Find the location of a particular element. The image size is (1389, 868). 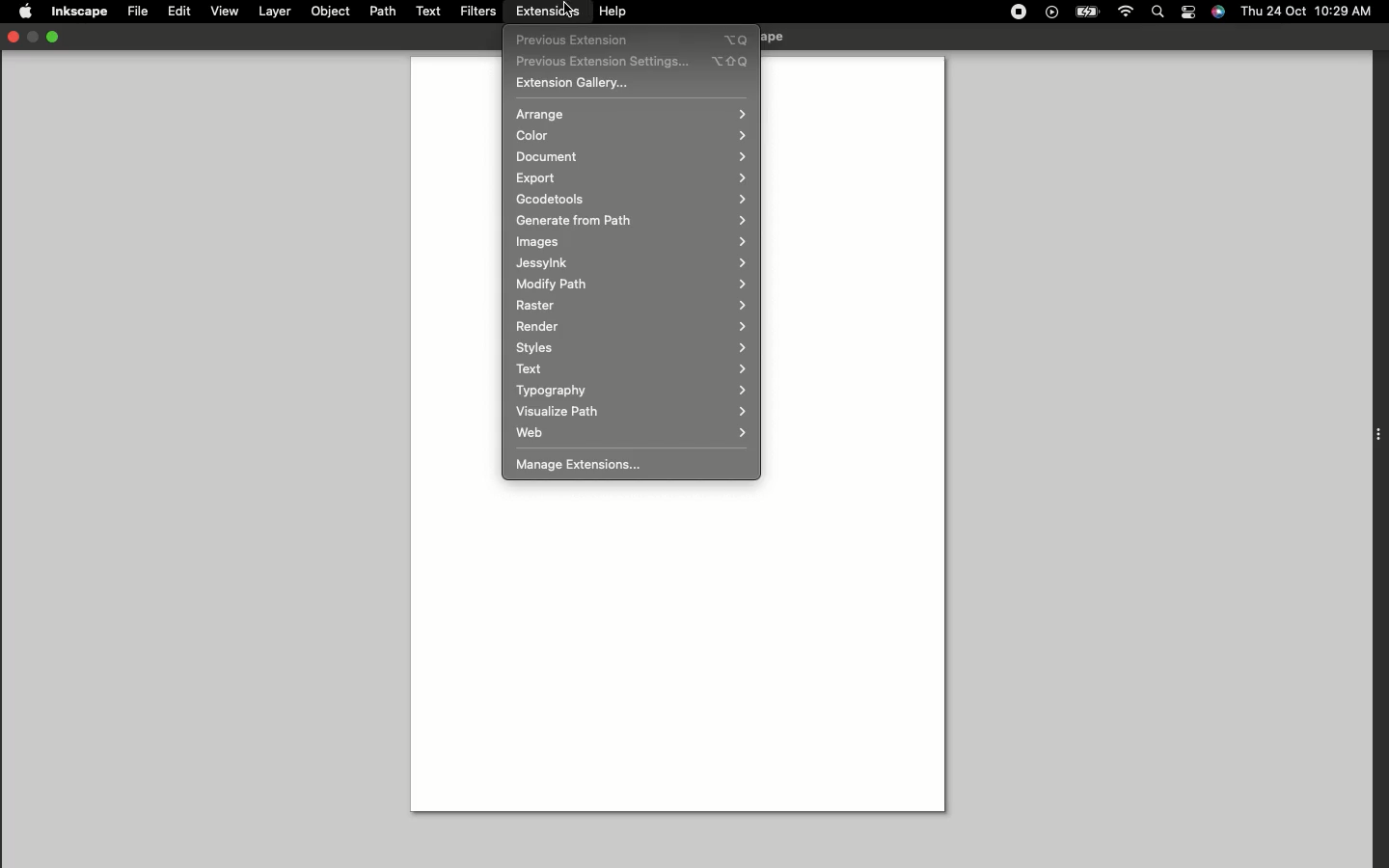

Web is located at coordinates (629, 433).